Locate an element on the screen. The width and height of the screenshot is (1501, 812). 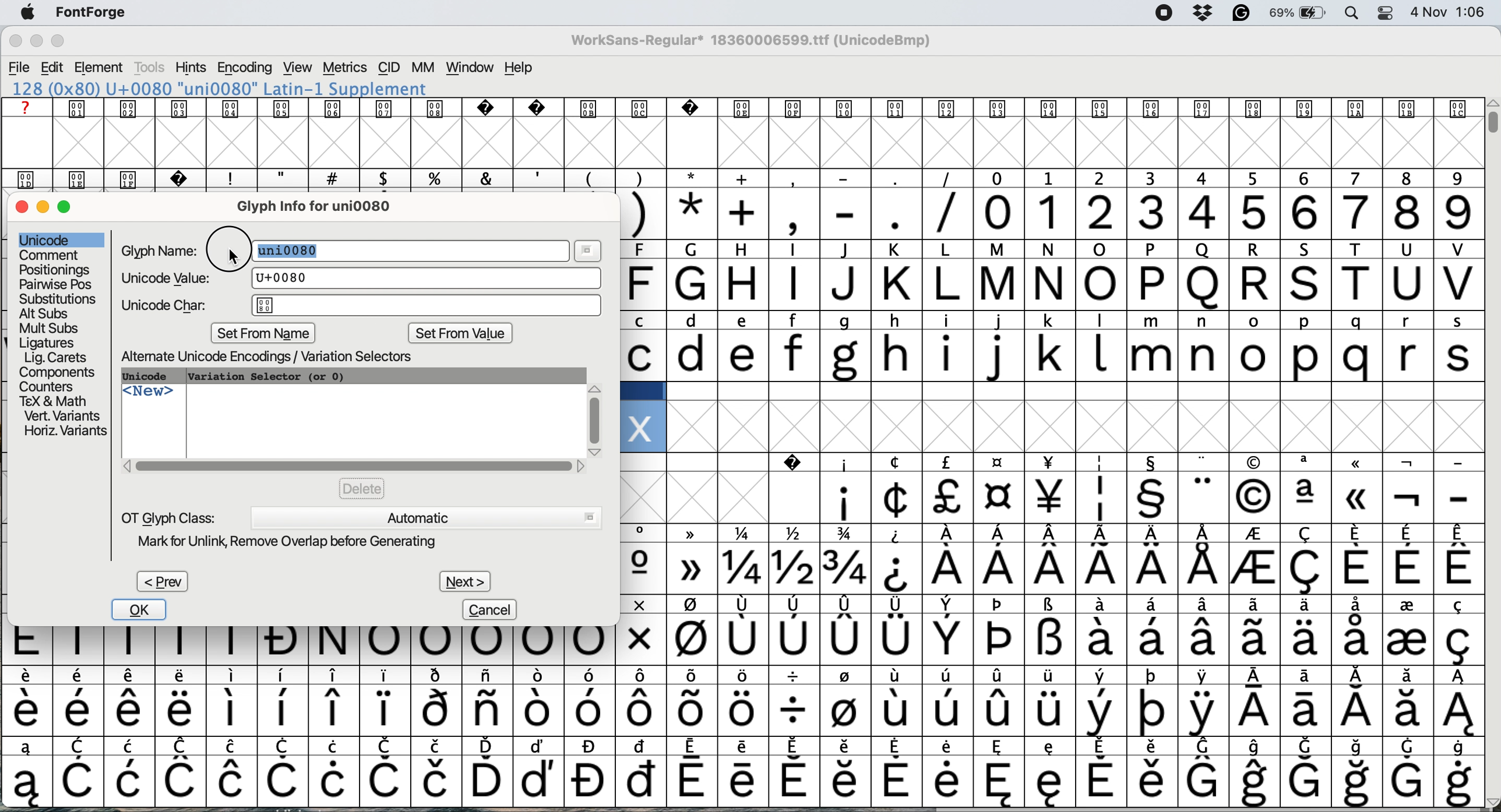
window is located at coordinates (469, 68).